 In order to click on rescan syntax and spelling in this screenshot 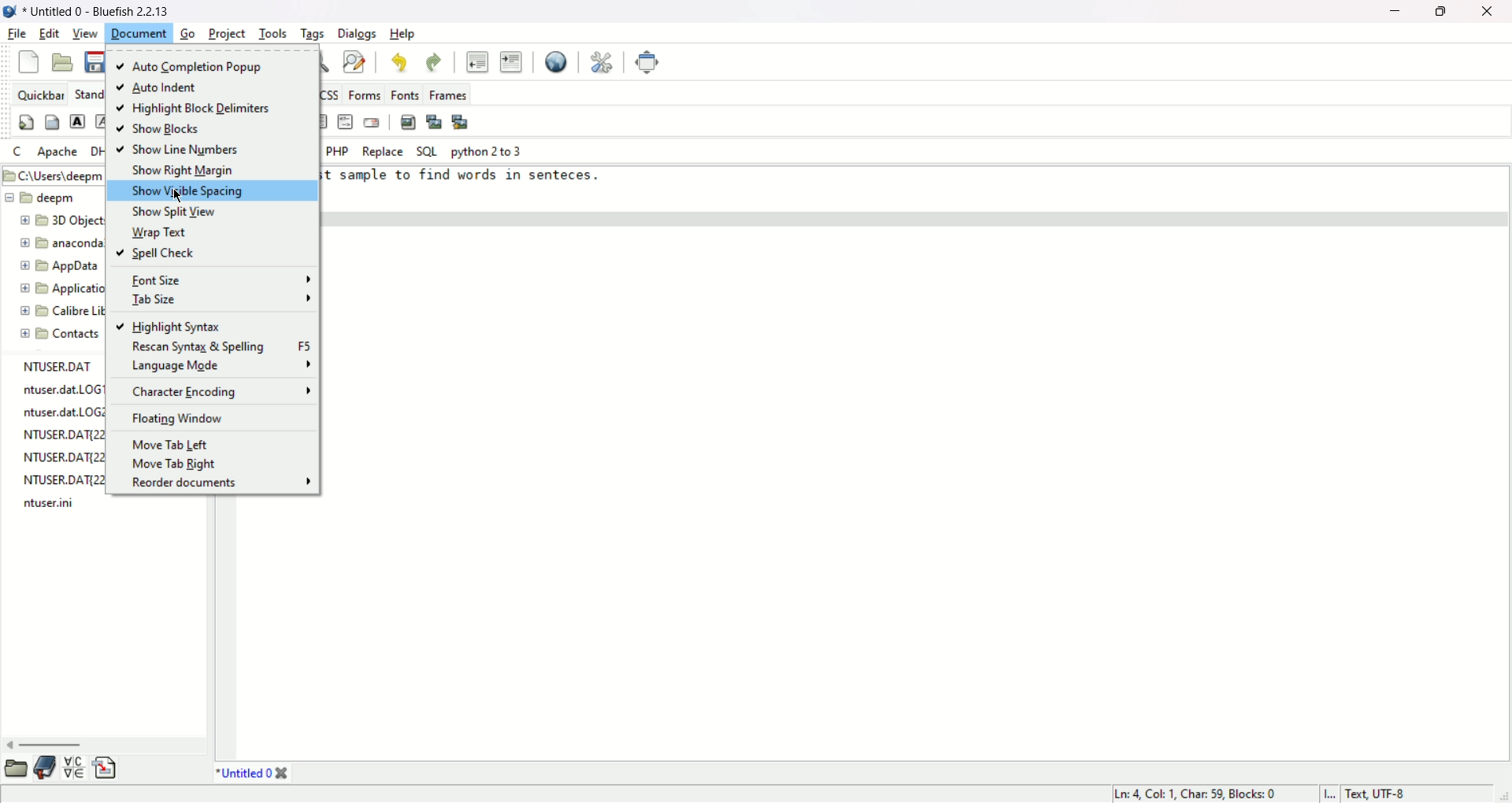, I will do `click(212, 346)`.